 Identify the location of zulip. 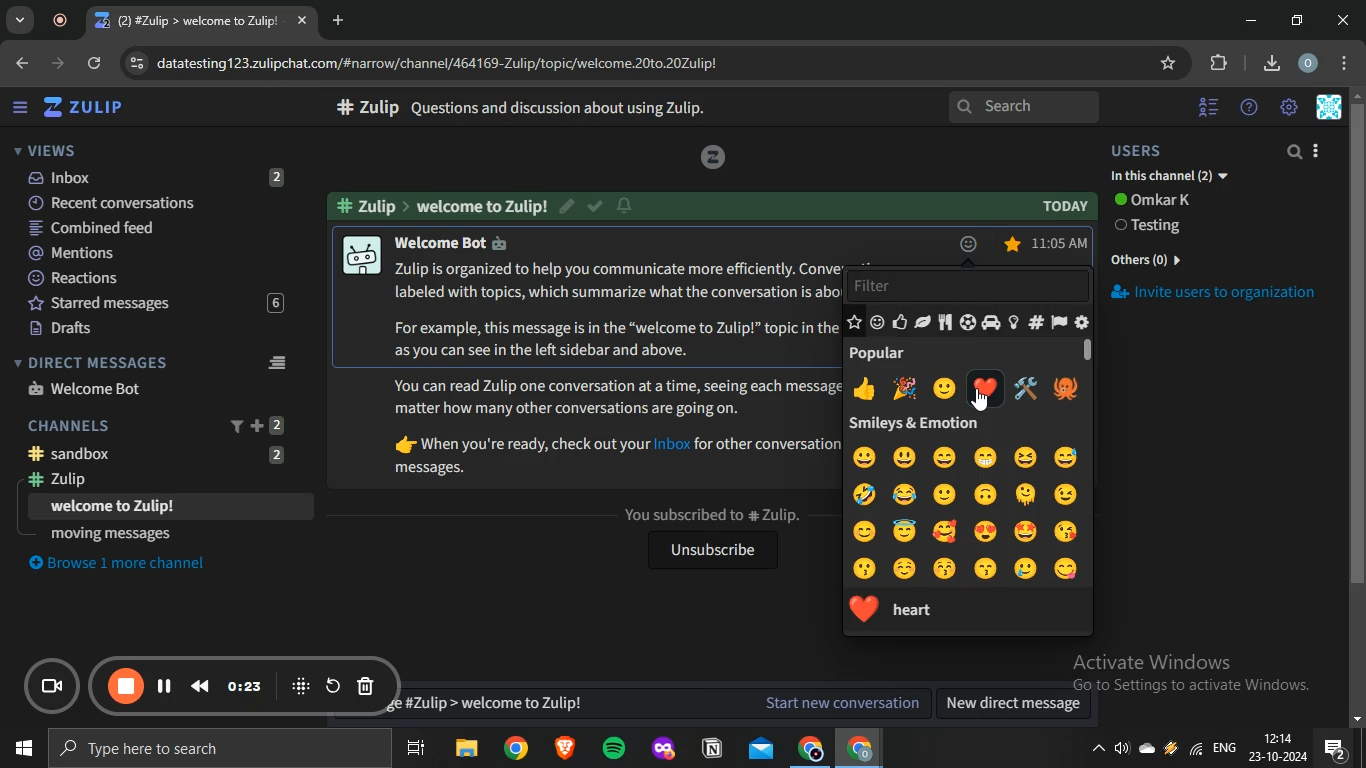
(88, 108).